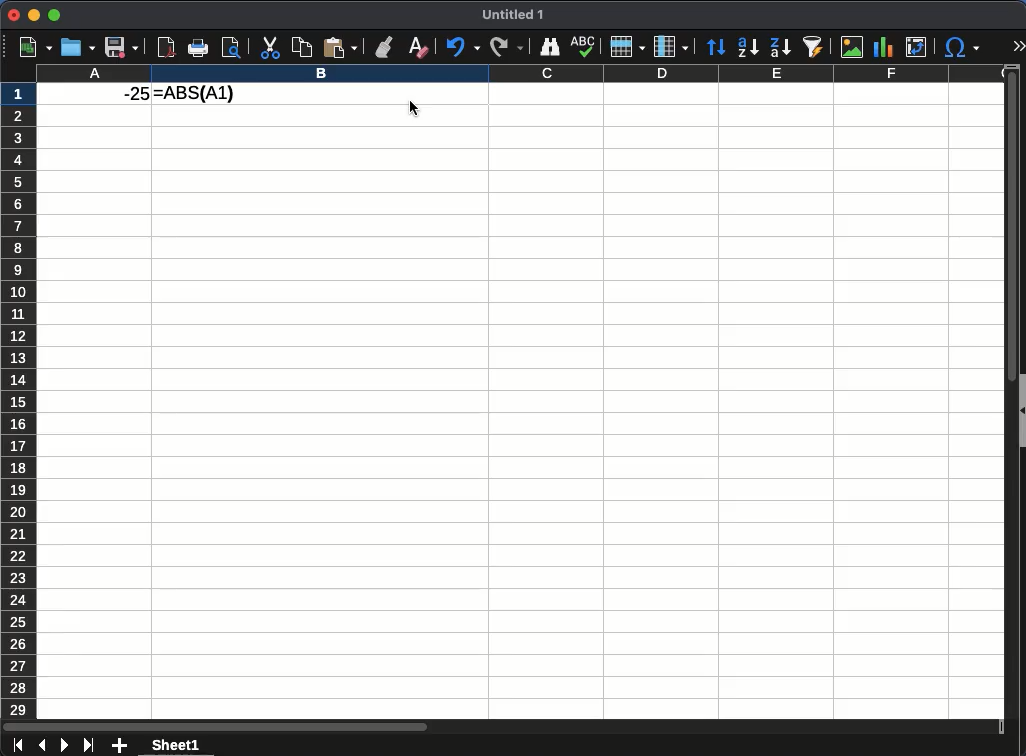 The height and width of the screenshot is (756, 1026). I want to click on rows, so click(19, 397).